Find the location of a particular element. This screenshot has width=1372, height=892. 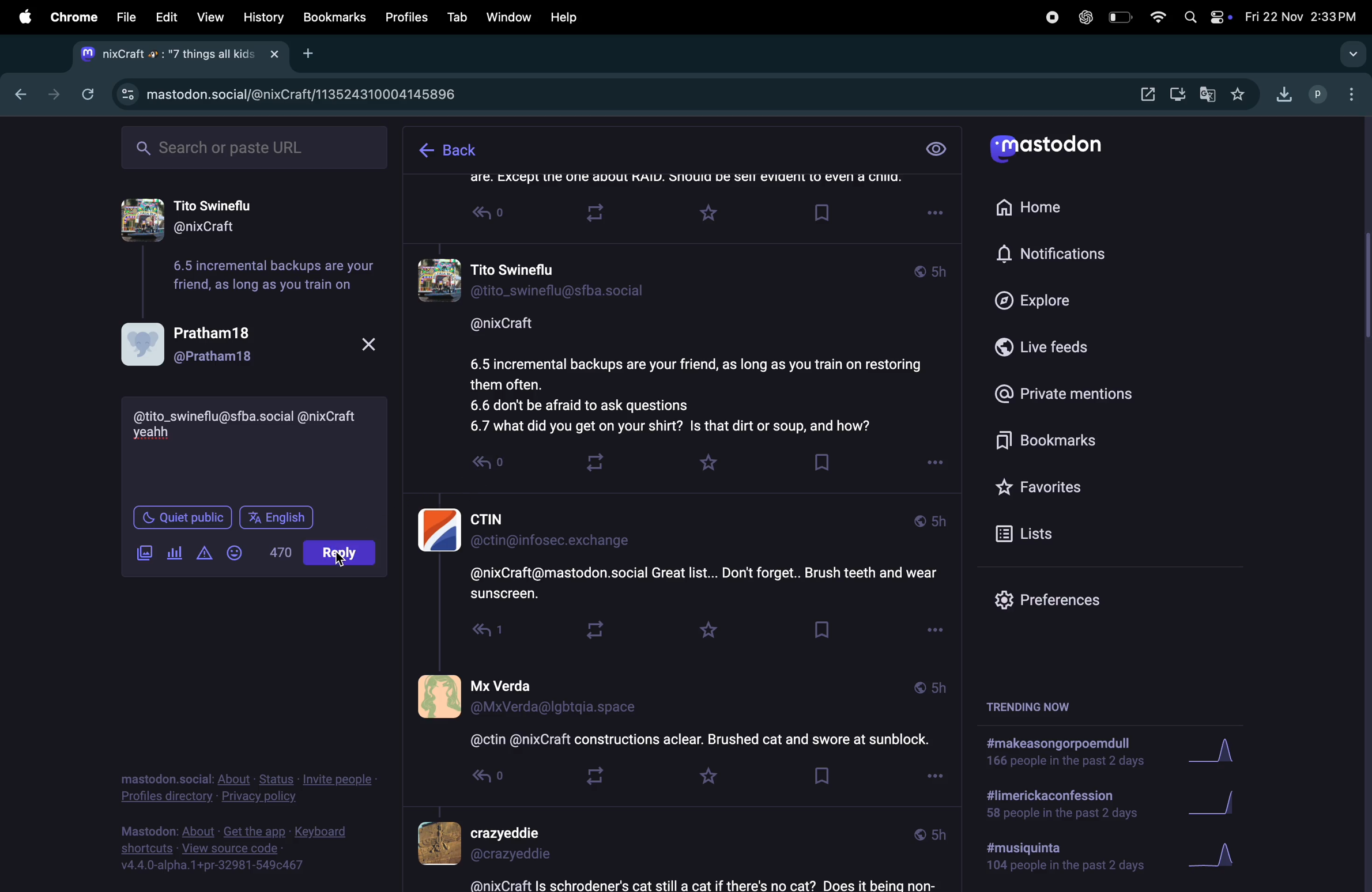

add image is located at coordinates (142, 554).